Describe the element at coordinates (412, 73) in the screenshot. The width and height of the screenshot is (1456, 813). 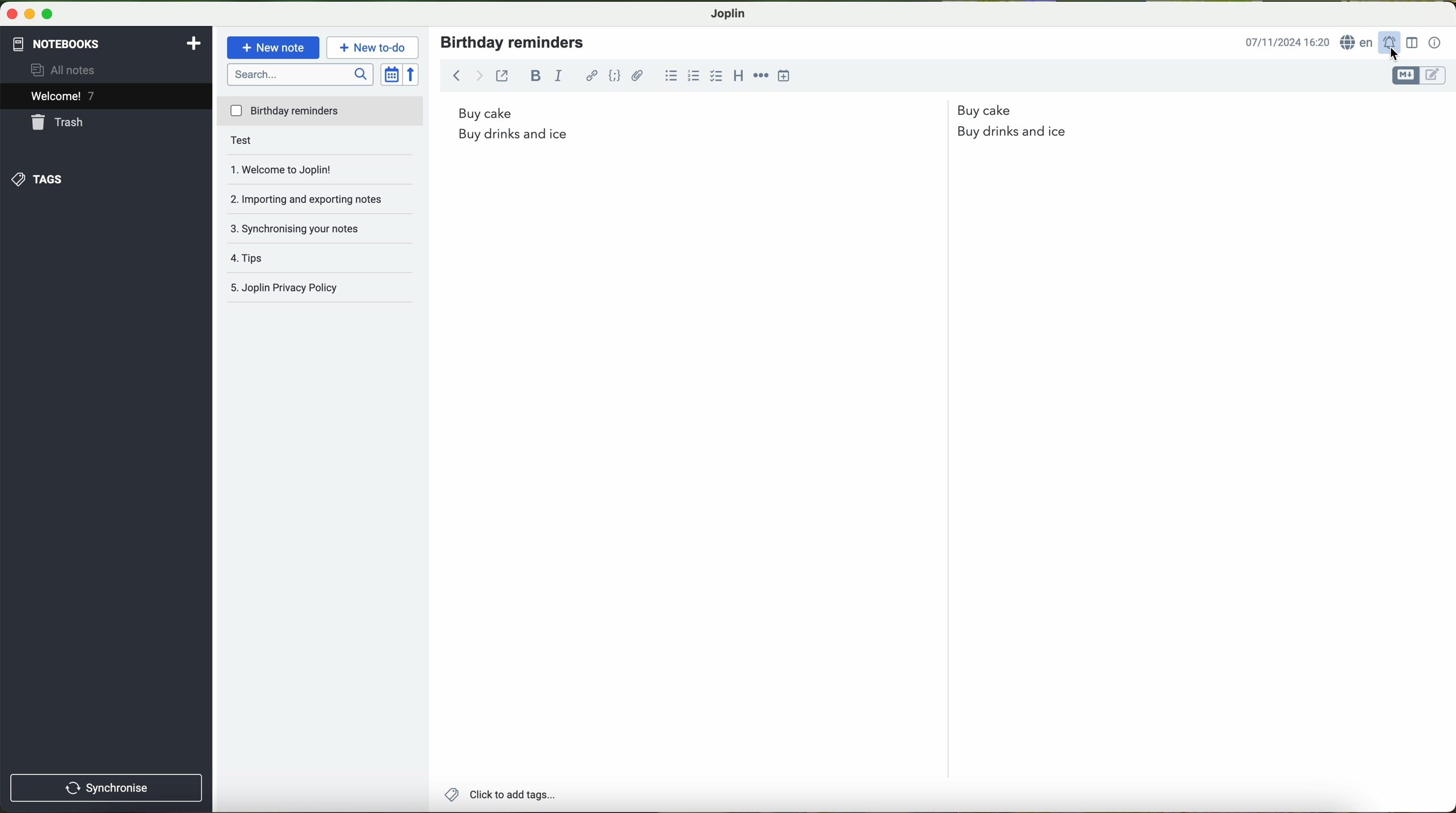
I see `reverse sort order` at that location.